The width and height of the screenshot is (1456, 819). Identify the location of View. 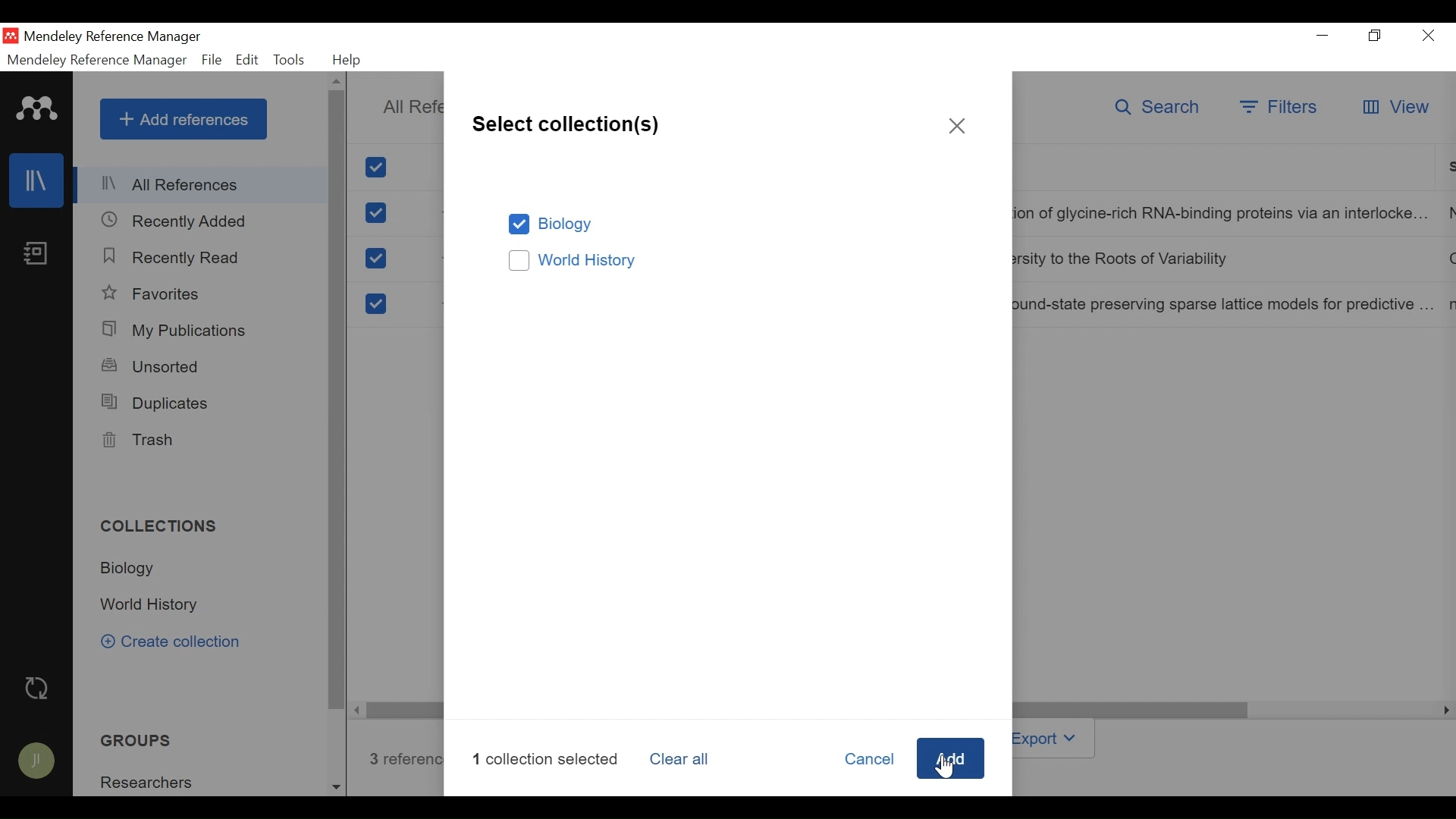
(1394, 108).